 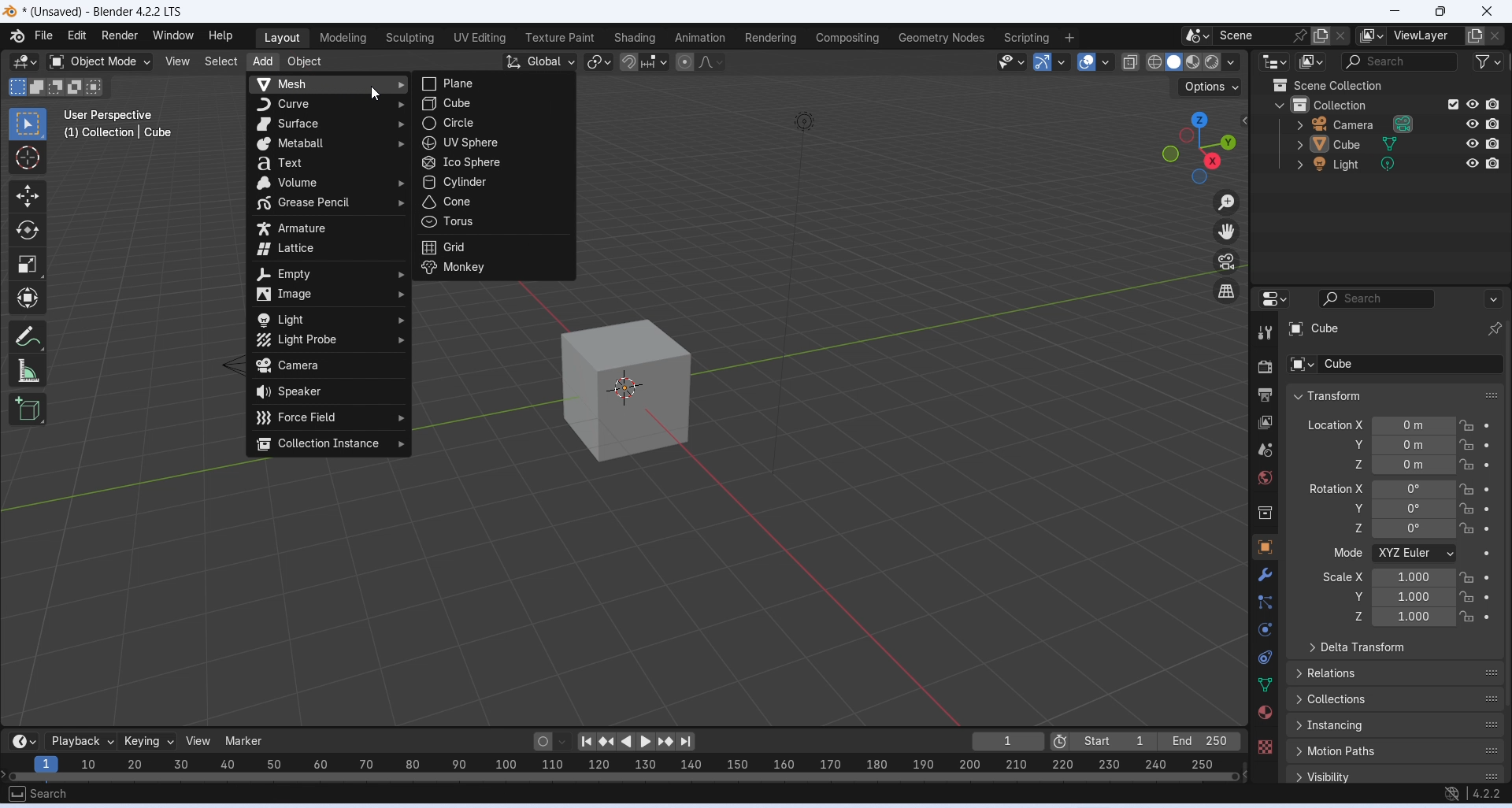 What do you see at coordinates (479, 37) in the screenshot?
I see `UV editing` at bounding box center [479, 37].